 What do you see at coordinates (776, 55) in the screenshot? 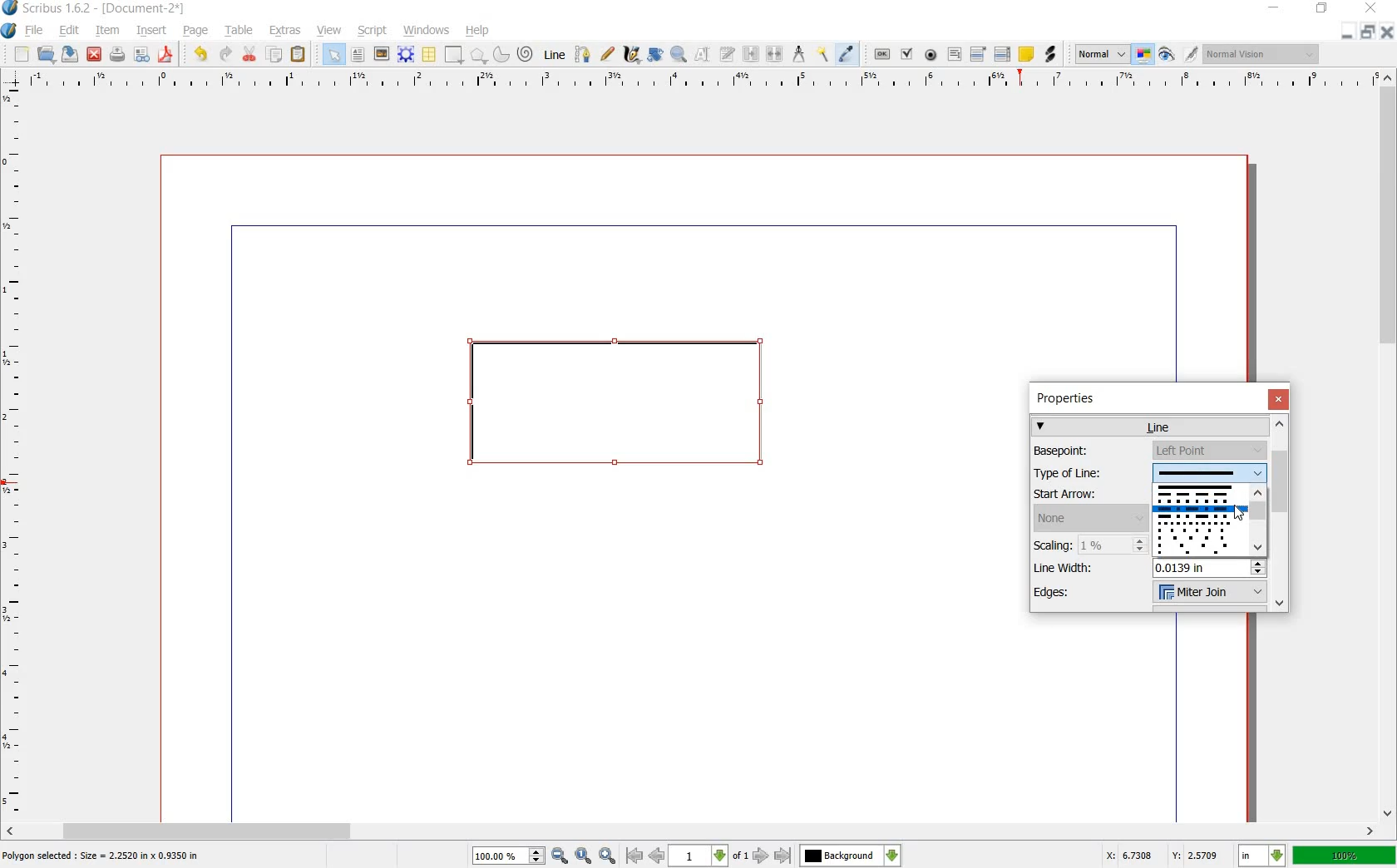
I see `UNLINK TEXT FRAME` at bounding box center [776, 55].